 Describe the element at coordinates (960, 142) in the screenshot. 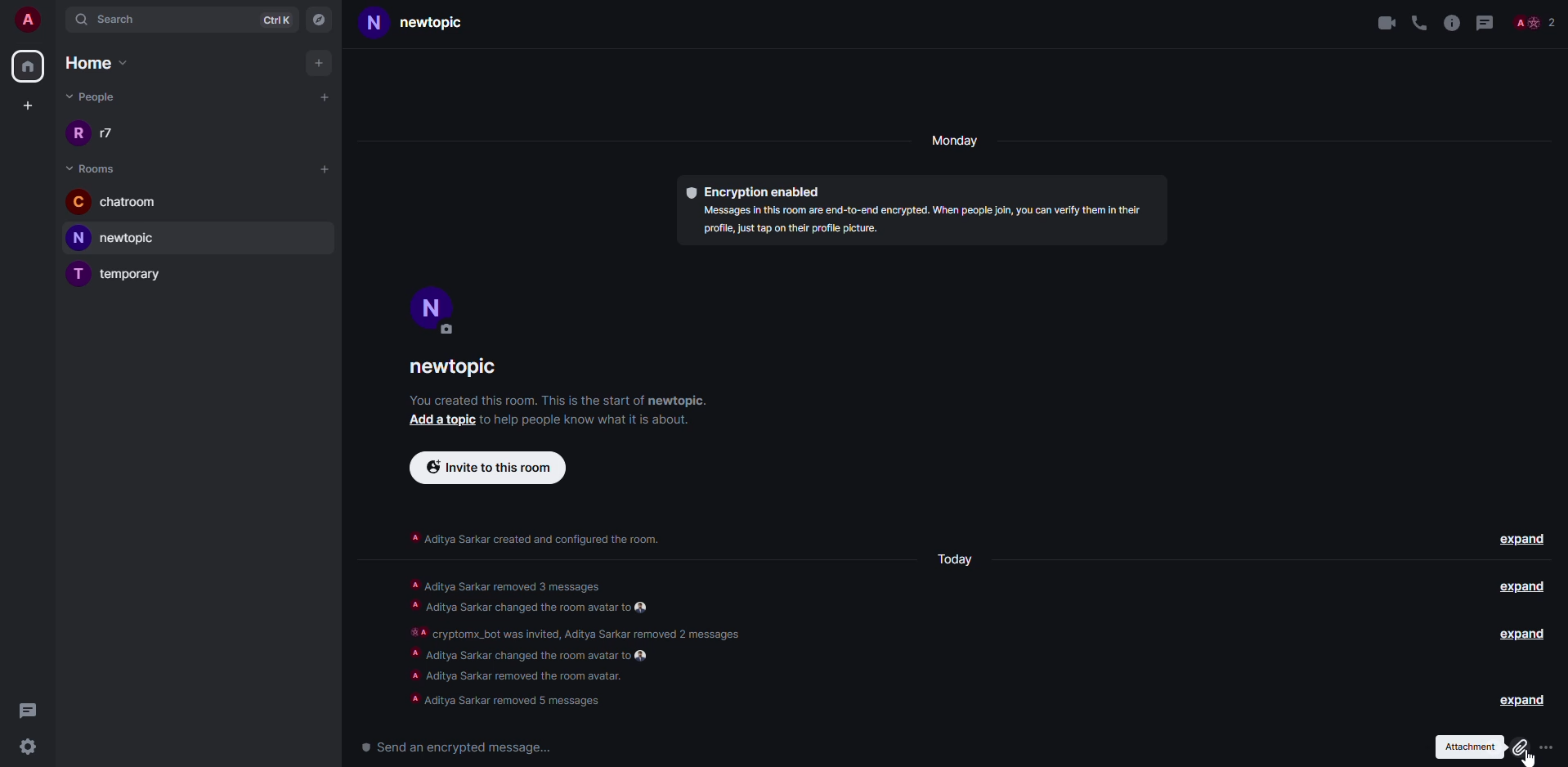

I see `day` at that location.